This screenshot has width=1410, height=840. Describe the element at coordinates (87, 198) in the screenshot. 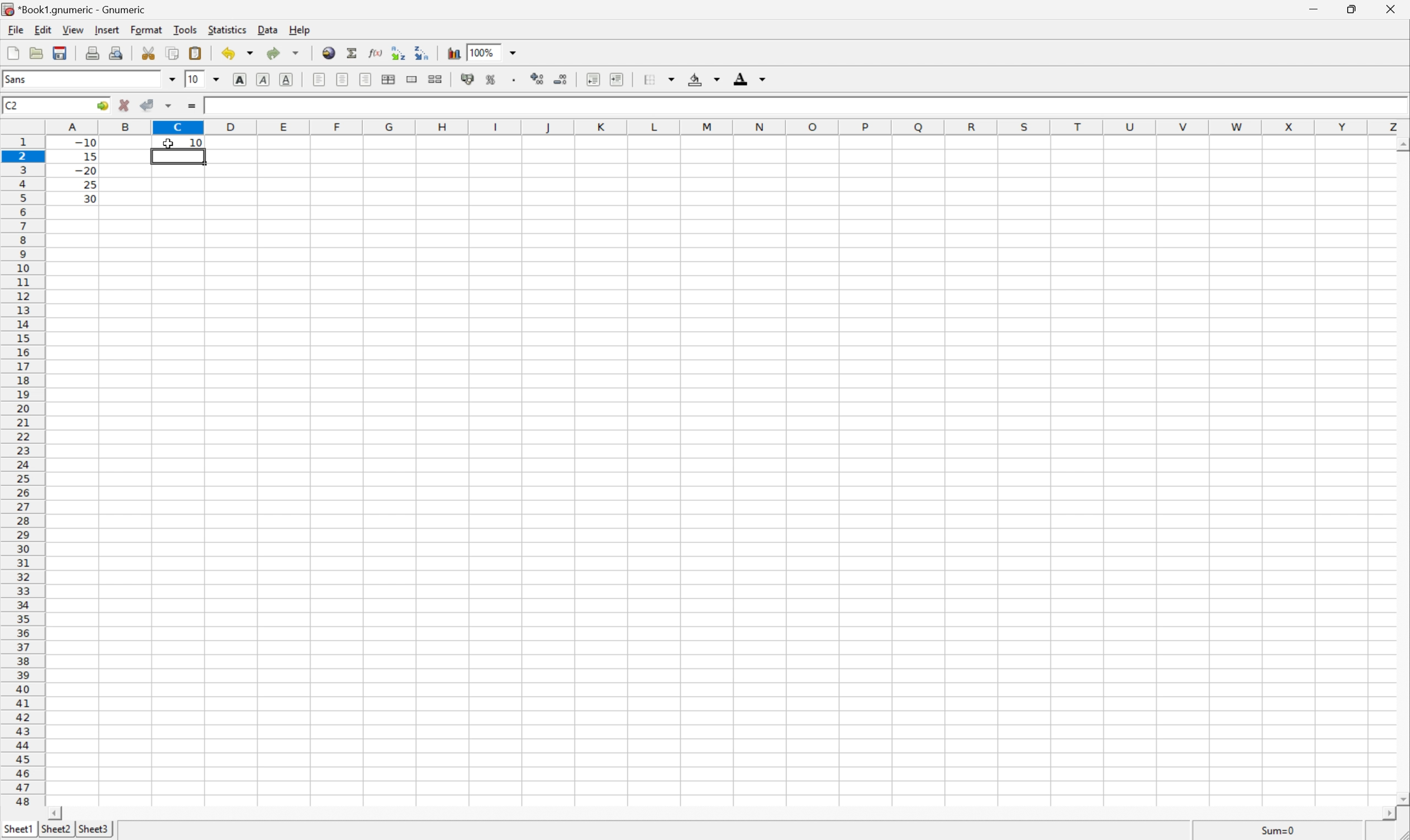

I see `30` at that location.